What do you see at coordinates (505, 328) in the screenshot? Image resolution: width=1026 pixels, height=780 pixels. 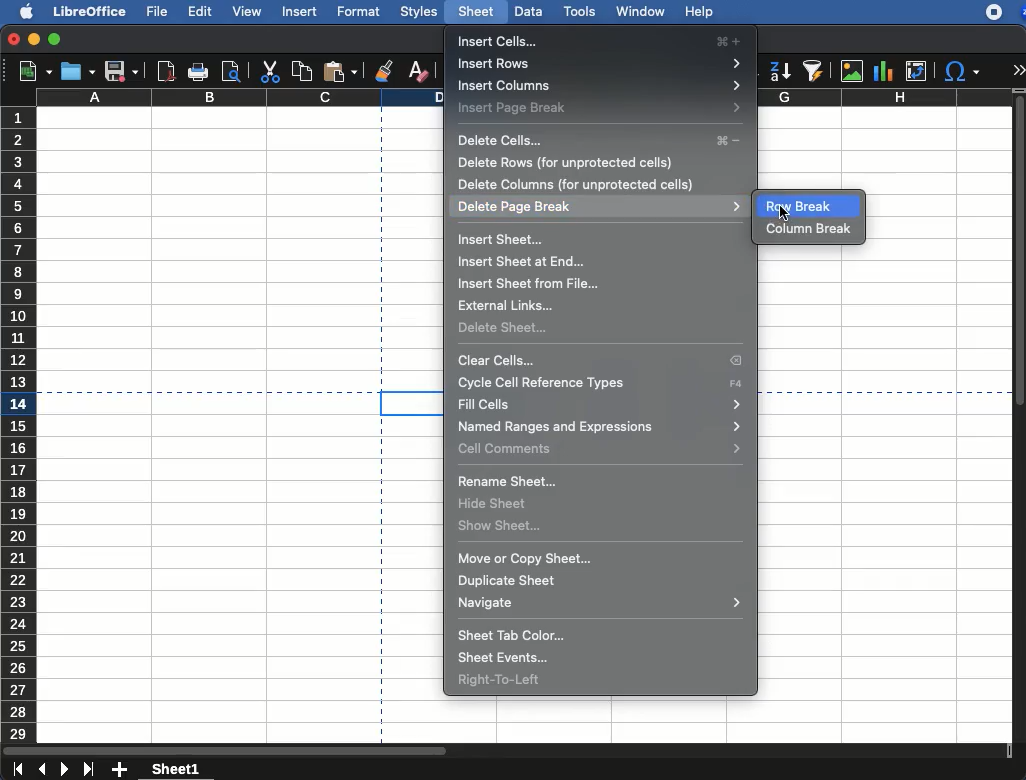 I see `delete sheet` at bounding box center [505, 328].